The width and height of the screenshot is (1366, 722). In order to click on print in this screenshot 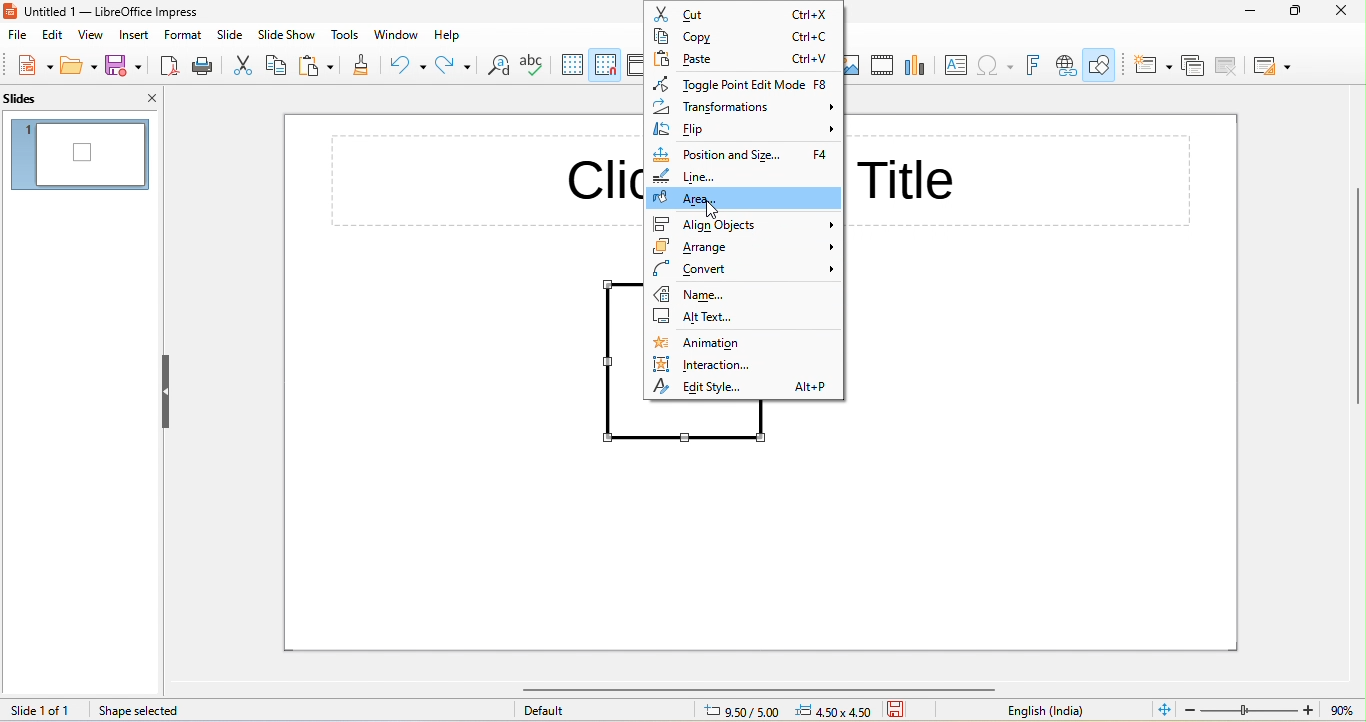, I will do `click(201, 65)`.